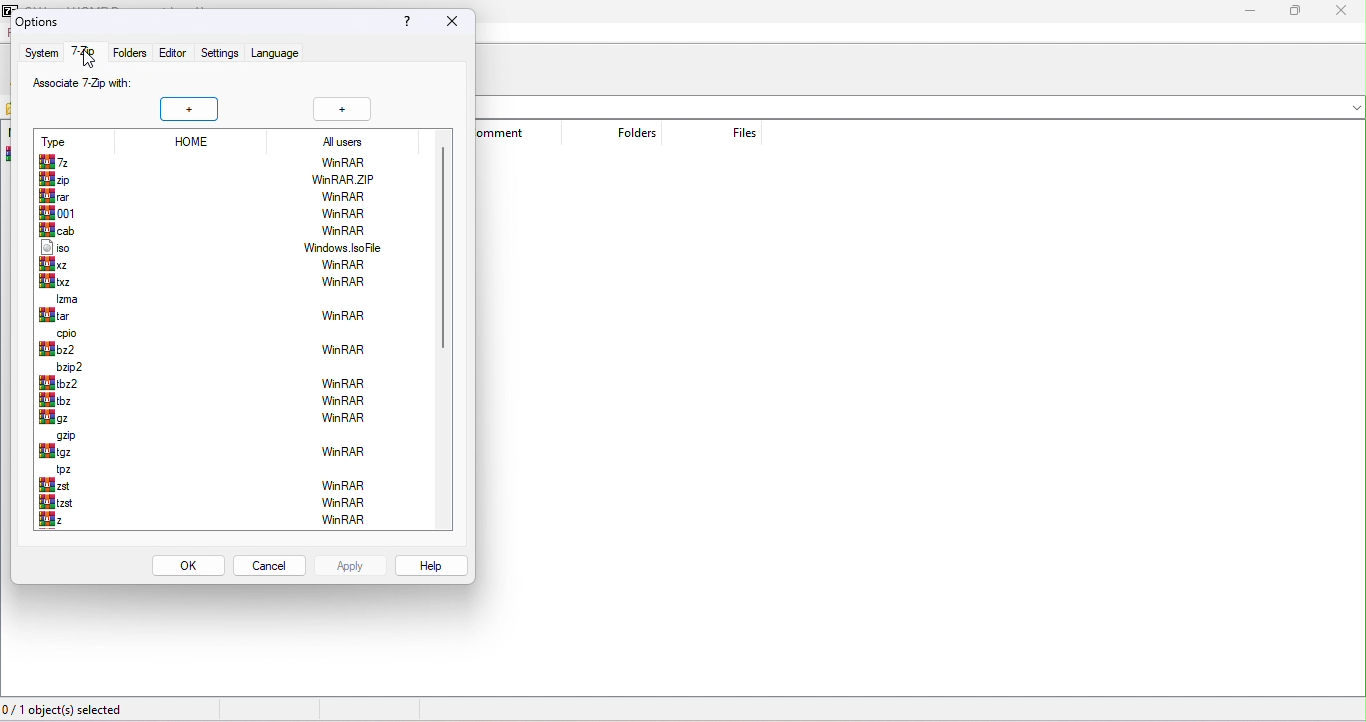 Image resolution: width=1366 pixels, height=722 pixels. I want to click on cab, so click(65, 230).